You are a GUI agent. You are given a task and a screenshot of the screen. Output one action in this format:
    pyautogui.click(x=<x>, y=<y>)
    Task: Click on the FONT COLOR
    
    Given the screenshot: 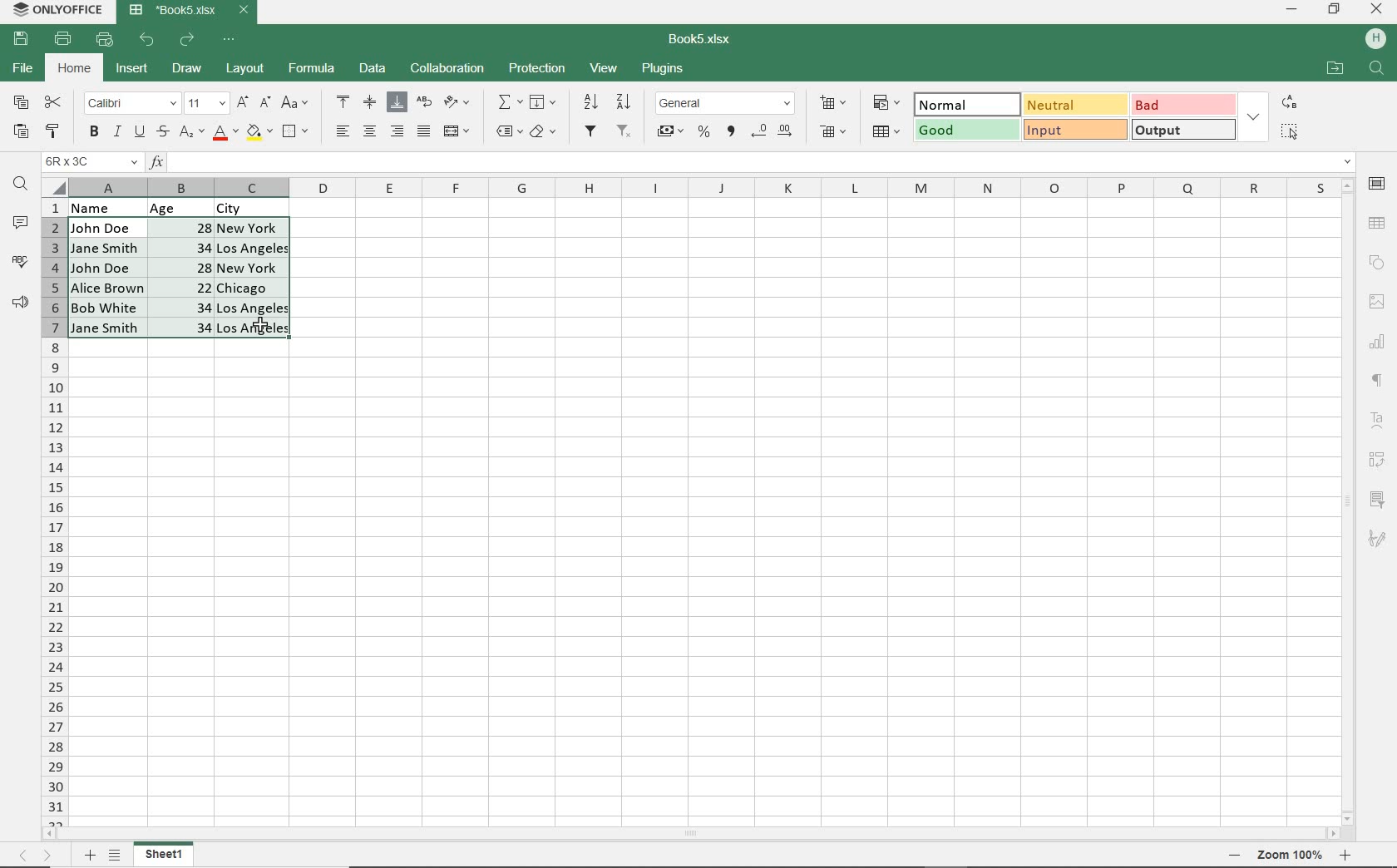 What is the action you would take?
    pyautogui.click(x=225, y=133)
    